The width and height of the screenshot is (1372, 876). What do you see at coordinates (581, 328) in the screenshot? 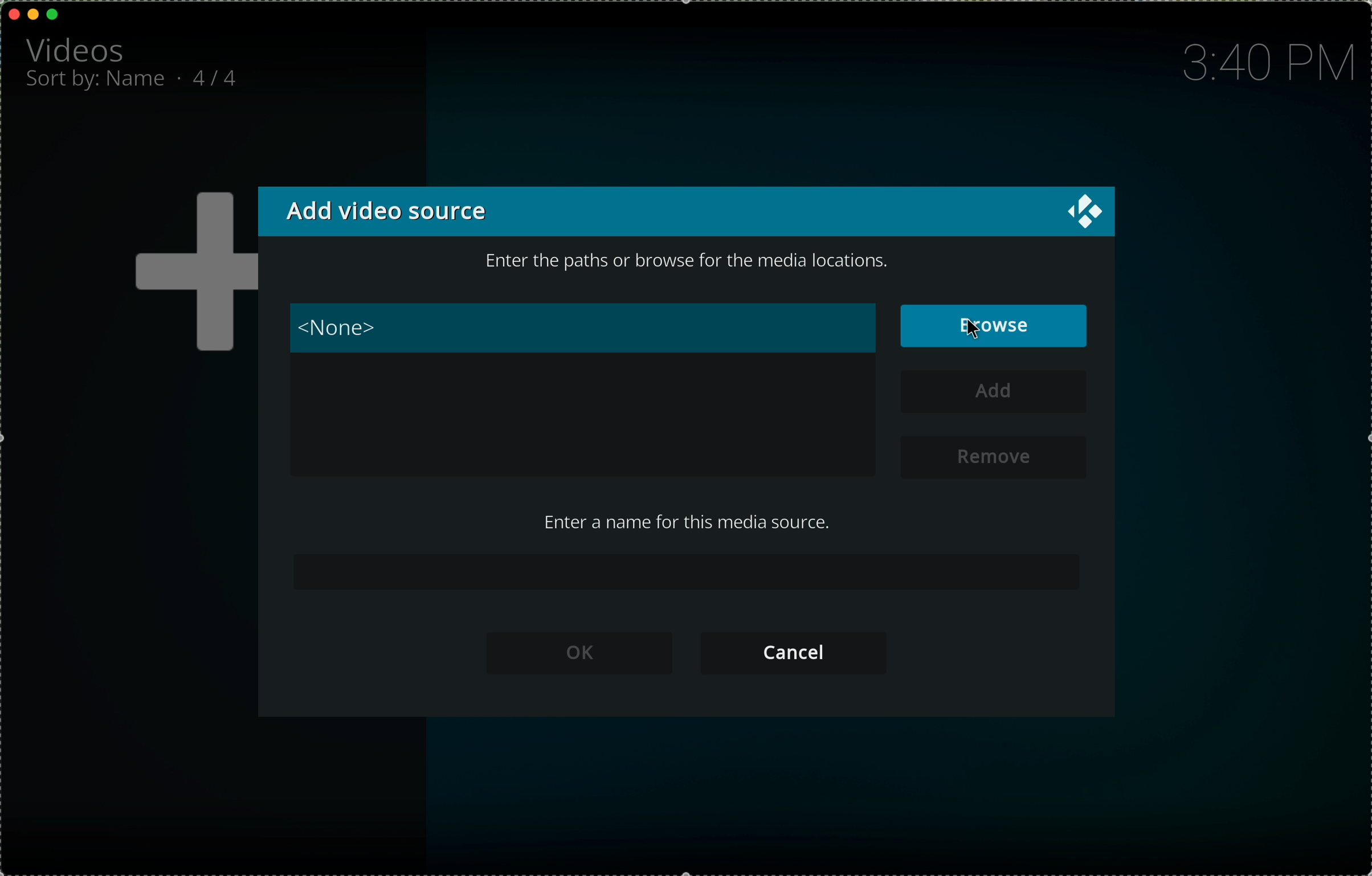
I see `none` at bounding box center [581, 328].